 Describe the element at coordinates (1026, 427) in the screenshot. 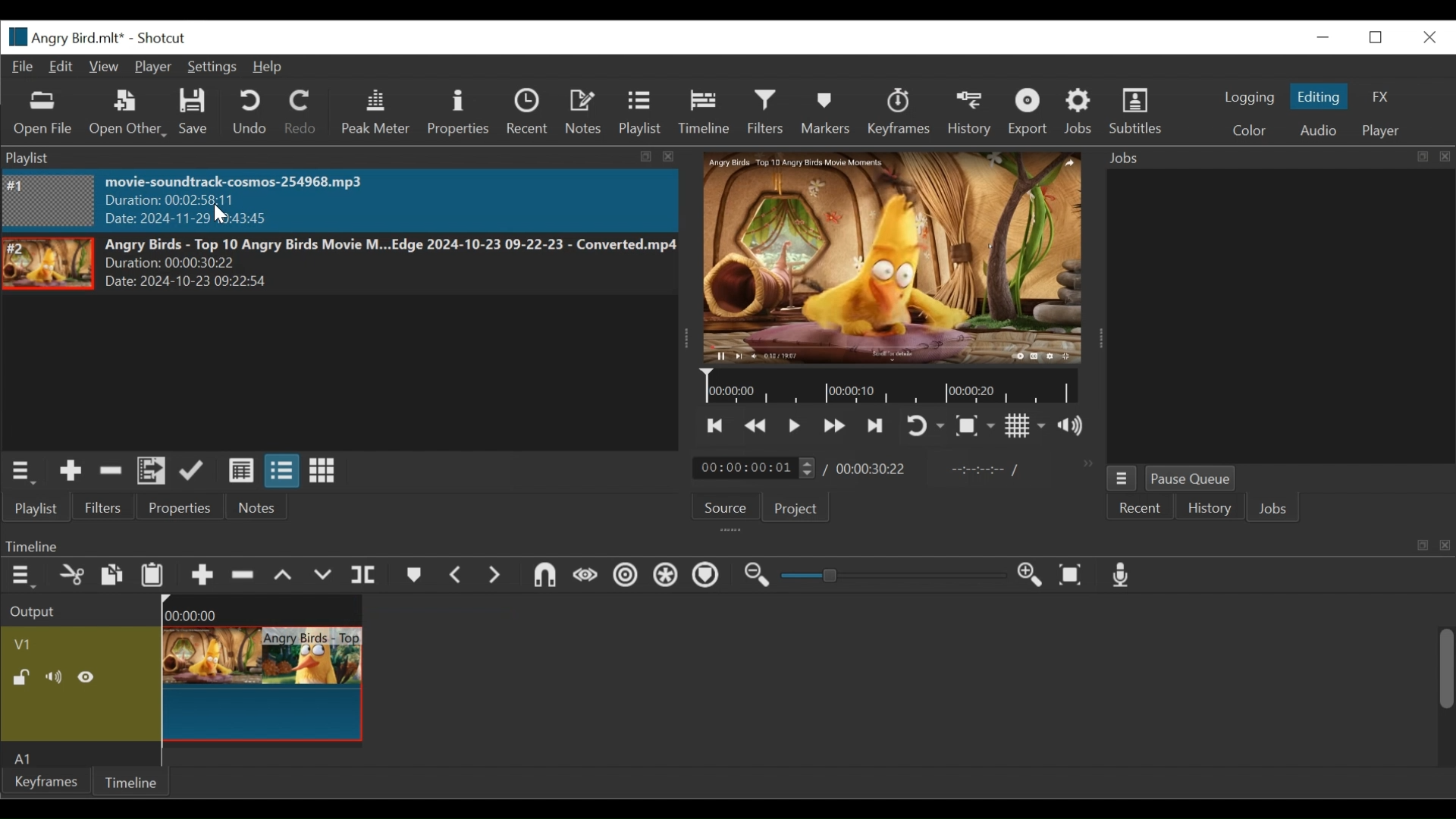

I see `Toggle display grid on the player` at that location.